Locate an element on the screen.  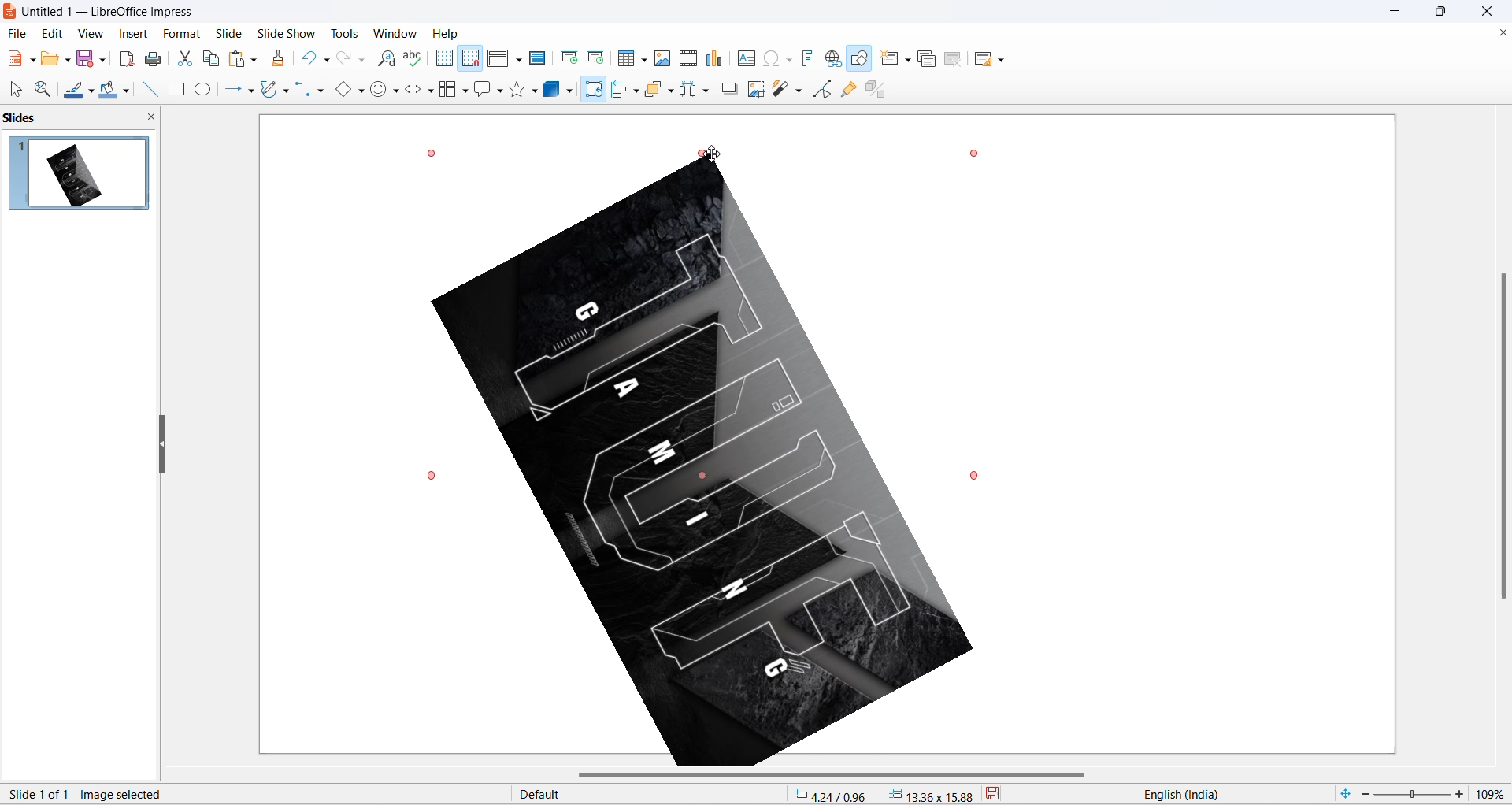
copy is located at coordinates (212, 58).